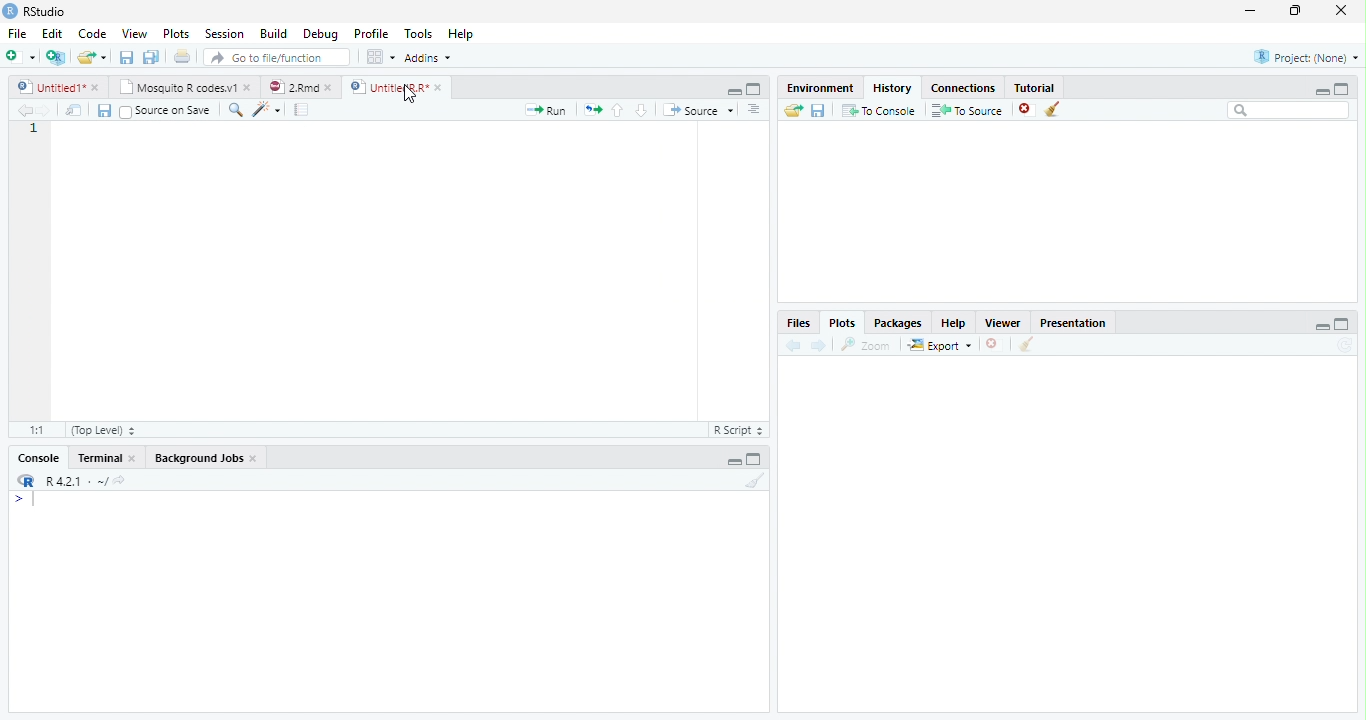 The width and height of the screenshot is (1366, 720). What do you see at coordinates (35, 12) in the screenshot?
I see `RStudio` at bounding box center [35, 12].